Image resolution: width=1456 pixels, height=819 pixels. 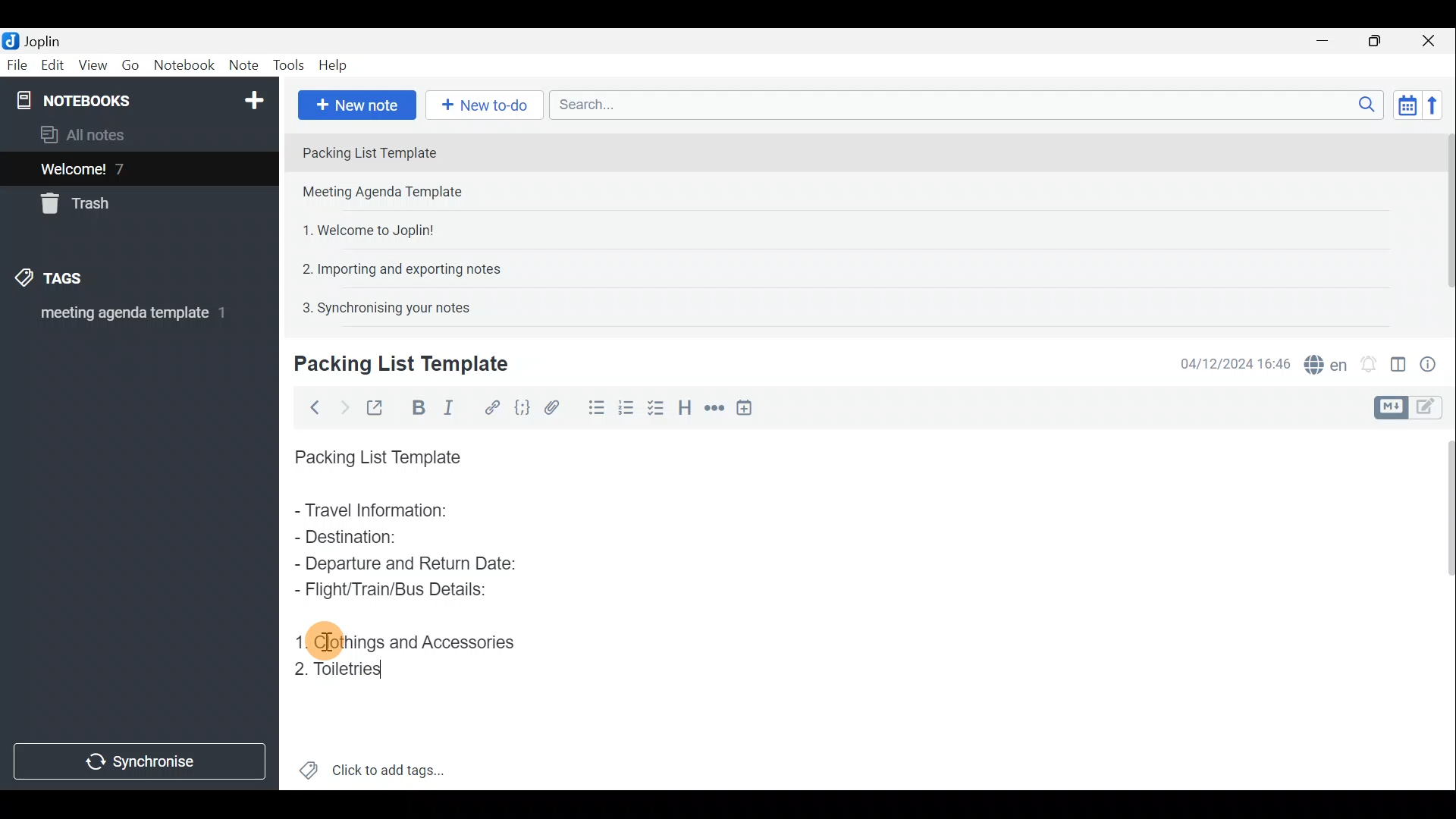 What do you see at coordinates (1442, 221) in the screenshot?
I see `Scroll bar` at bounding box center [1442, 221].